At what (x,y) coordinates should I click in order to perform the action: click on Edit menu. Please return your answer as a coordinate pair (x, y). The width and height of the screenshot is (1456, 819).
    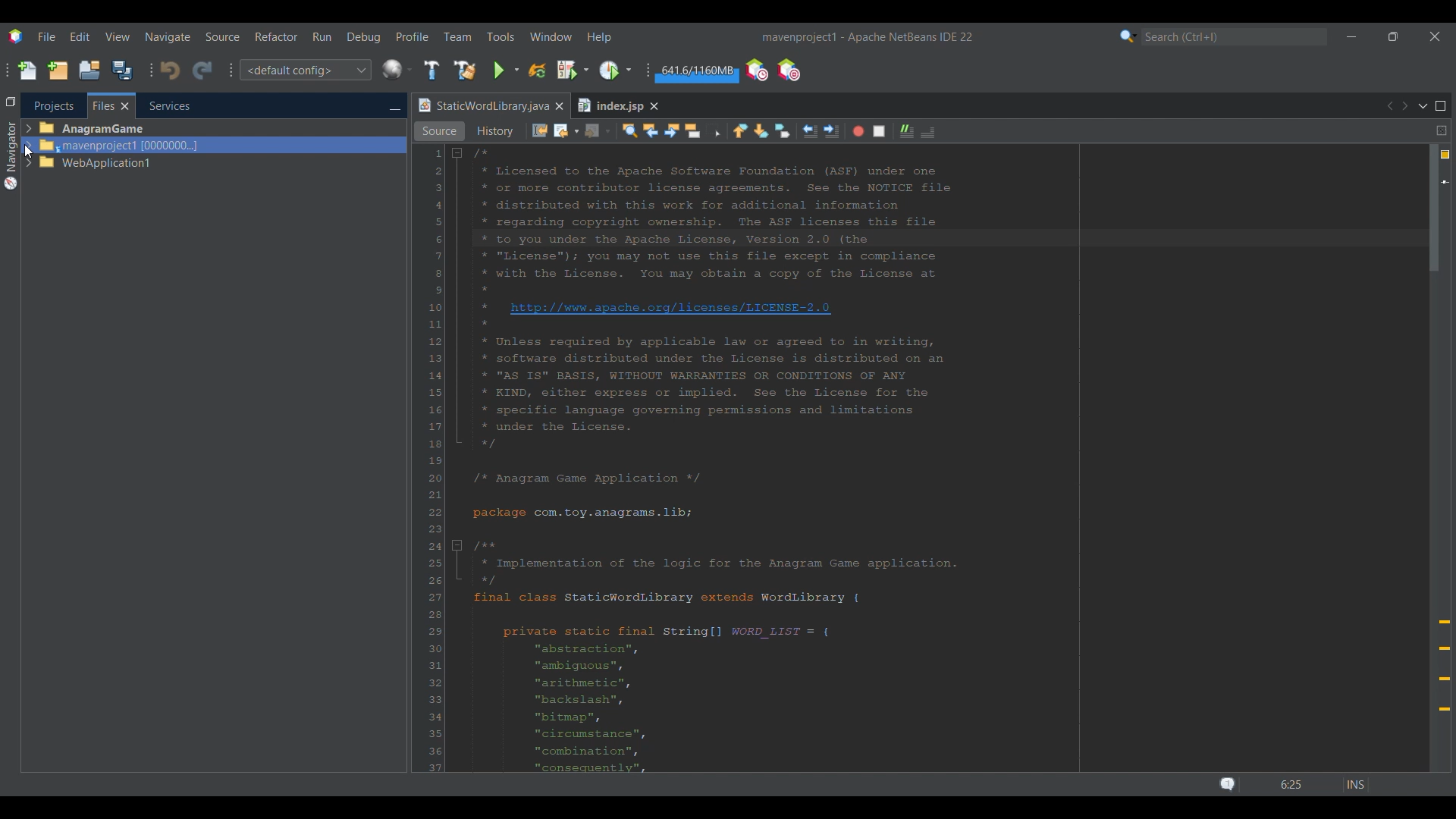
    Looking at the image, I should click on (80, 36).